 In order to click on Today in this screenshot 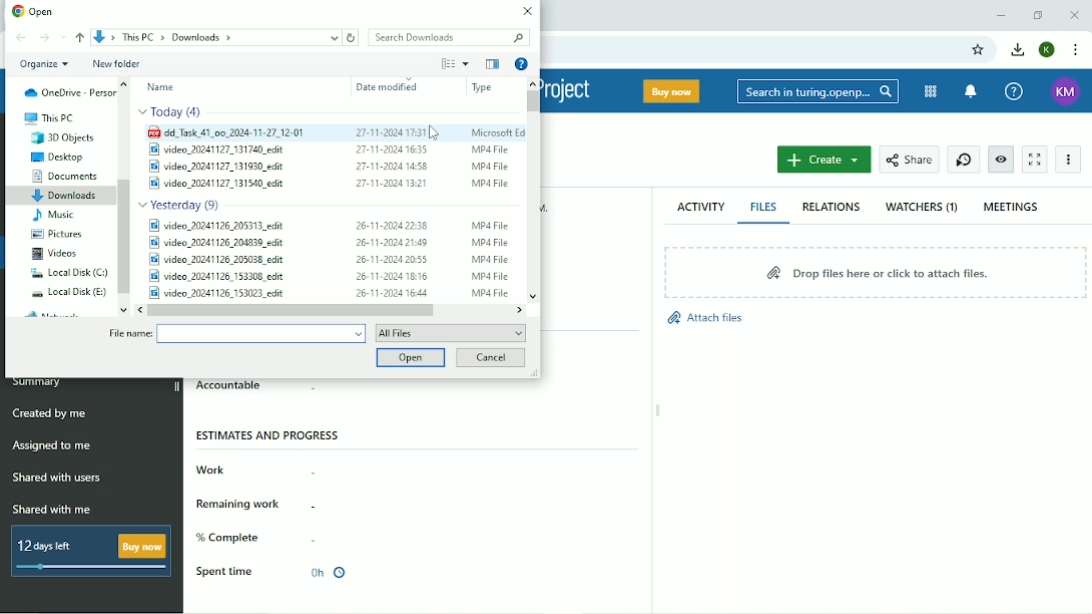, I will do `click(172, 113)`.